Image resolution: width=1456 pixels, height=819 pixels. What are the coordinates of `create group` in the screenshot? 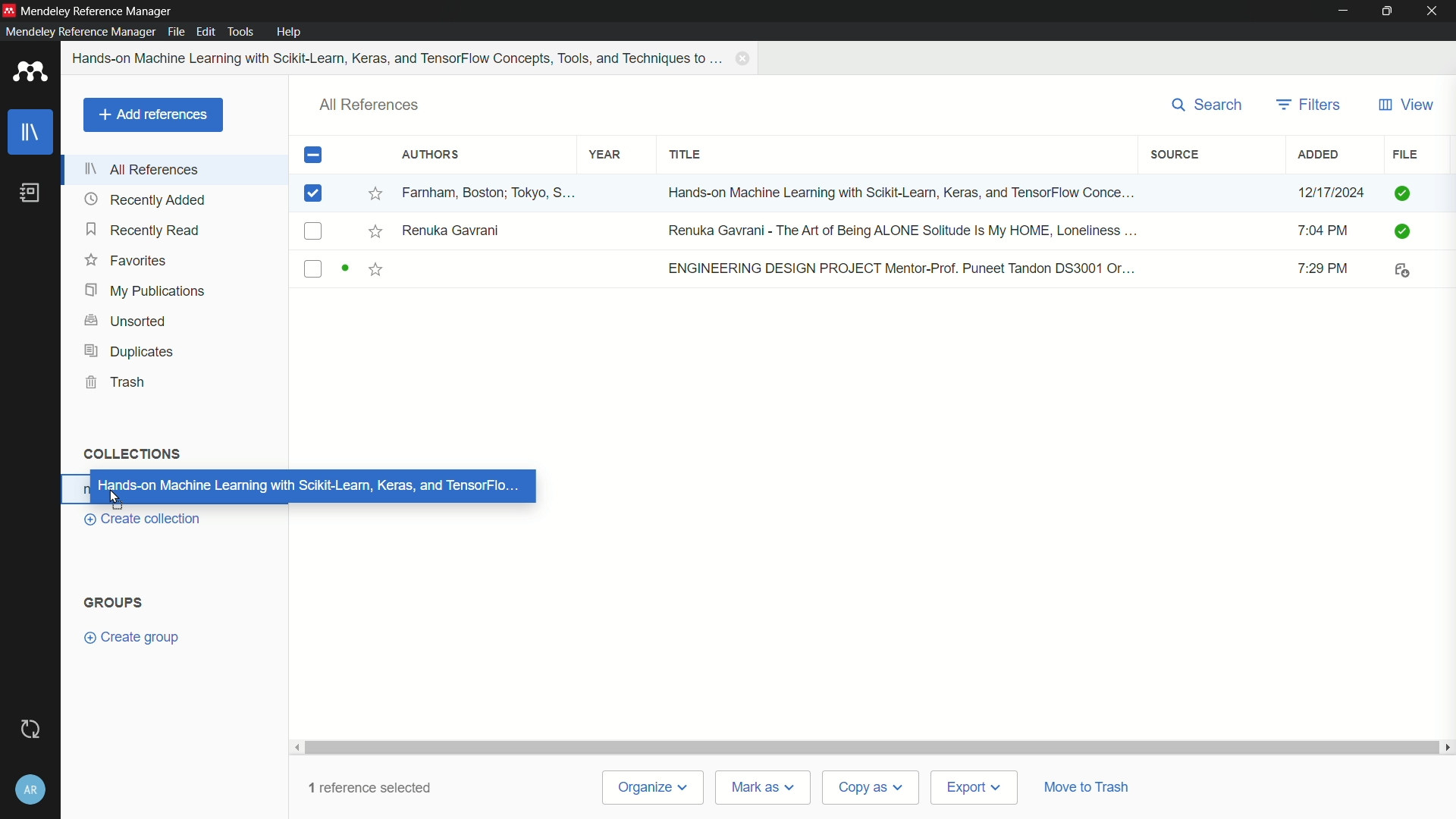 It's located at (131, 638).